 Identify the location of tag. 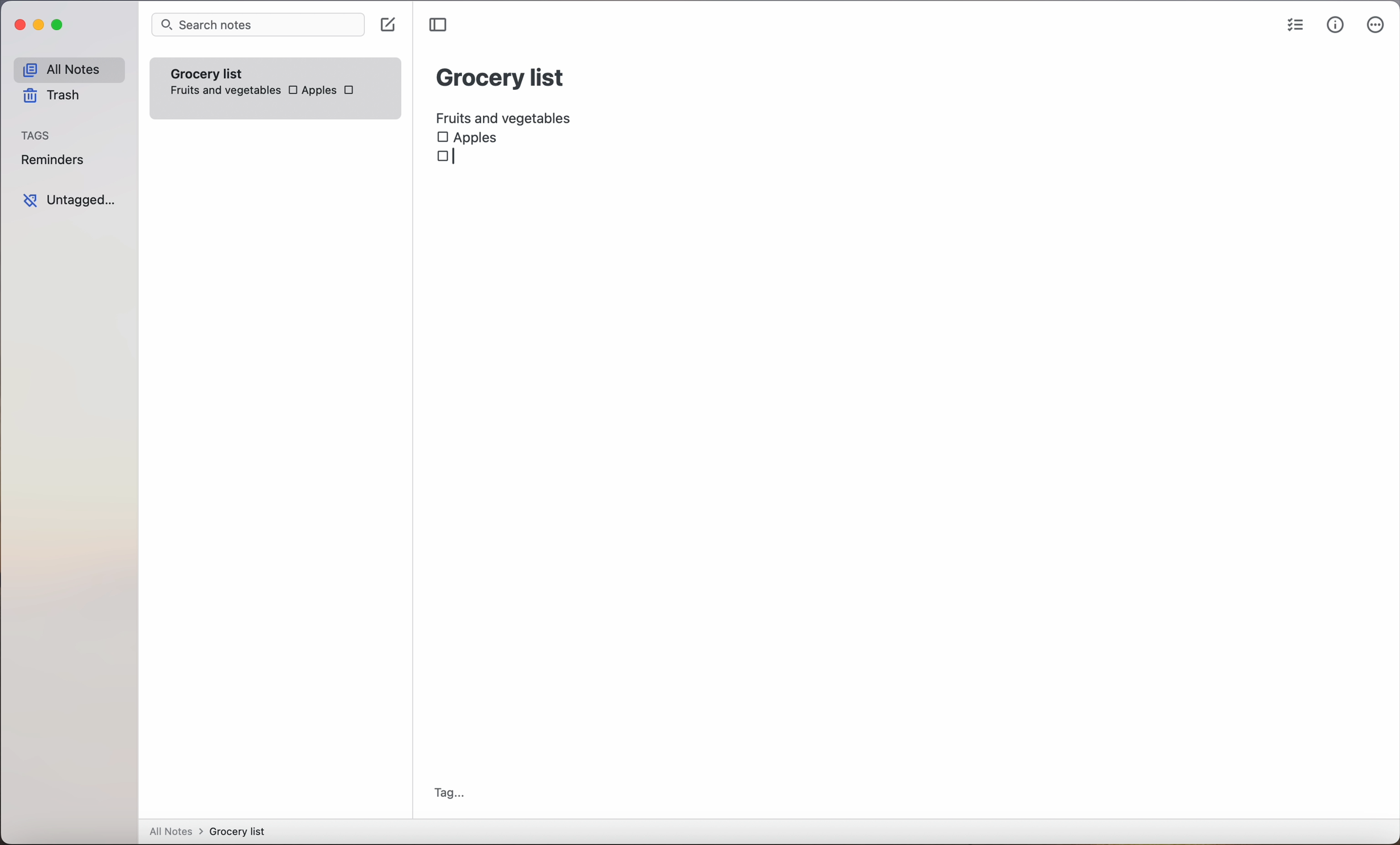
(449, 793).